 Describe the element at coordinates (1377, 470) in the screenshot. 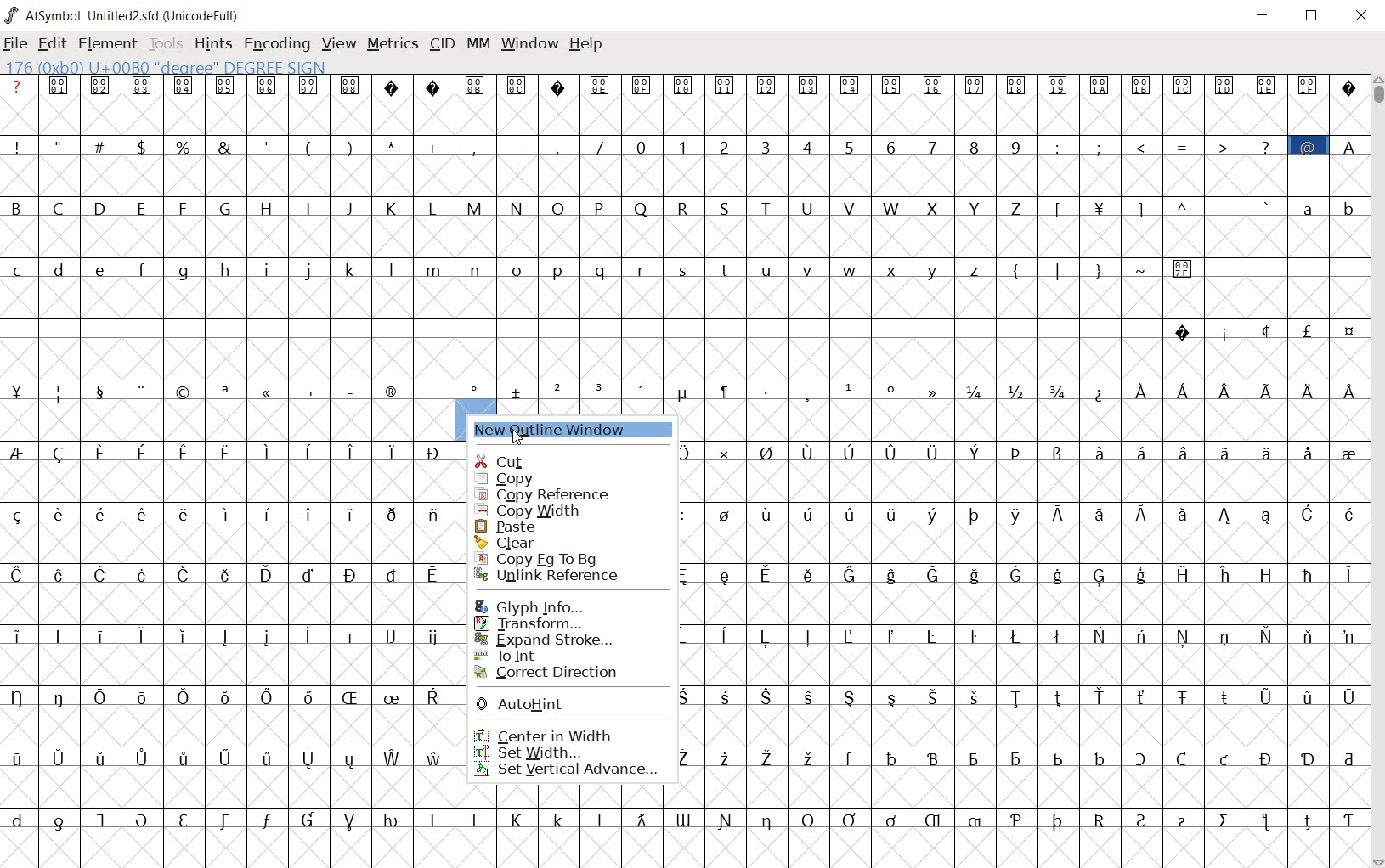

I see `scrollbar` at that location.